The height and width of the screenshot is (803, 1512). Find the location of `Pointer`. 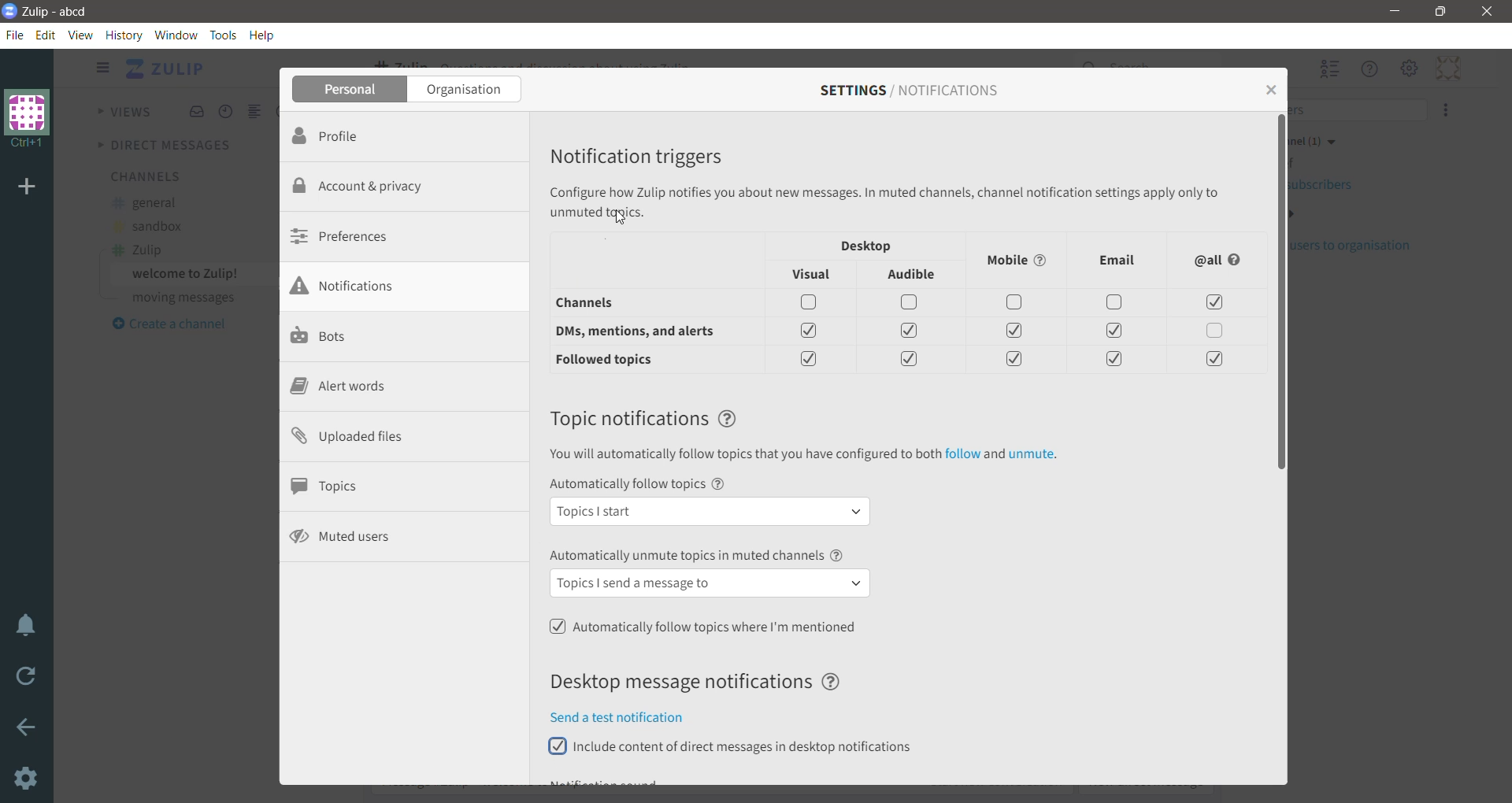

Pointer is located at coordinates (624, 220).